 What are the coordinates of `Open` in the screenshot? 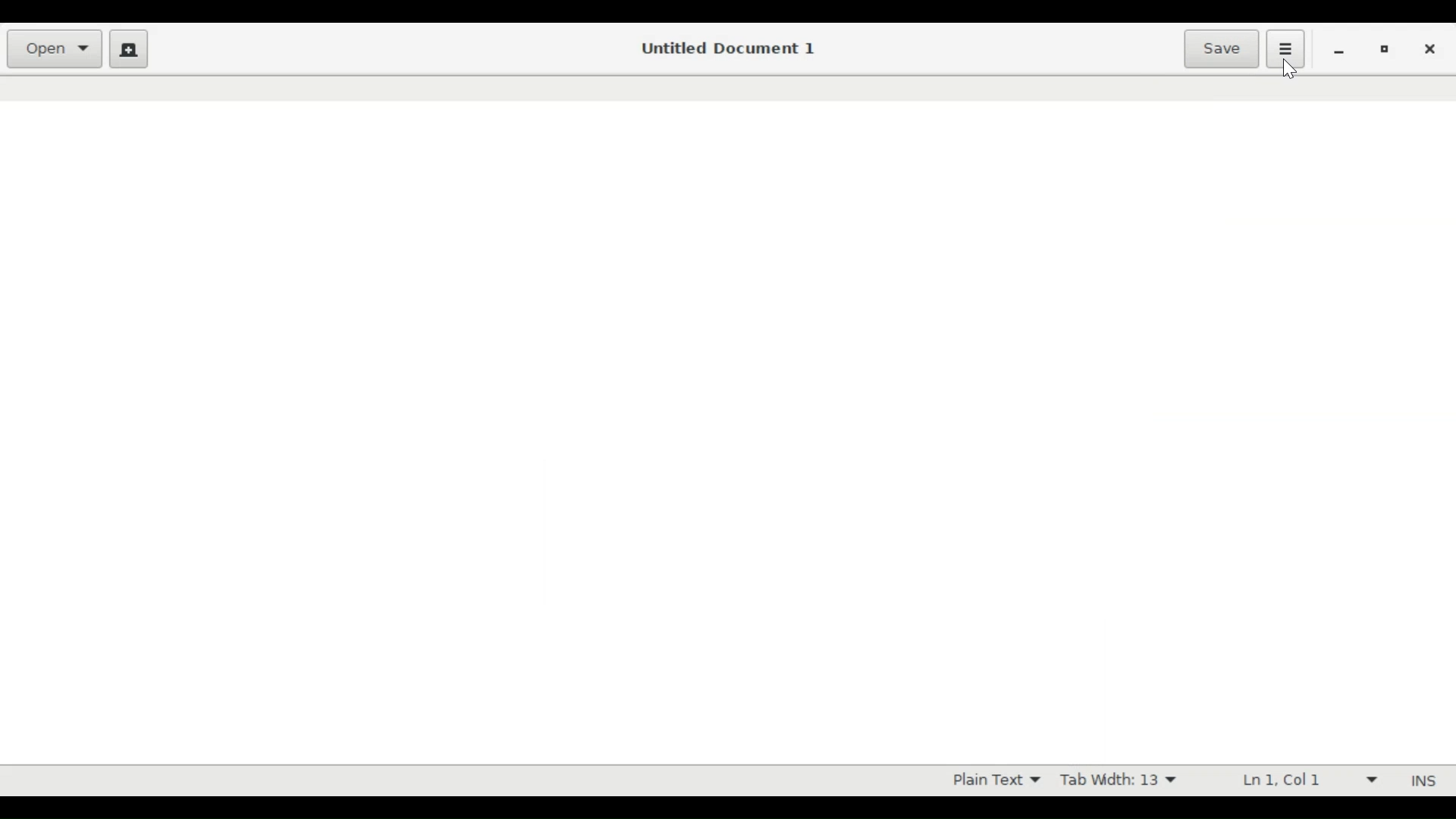 It's located at (54, 47).